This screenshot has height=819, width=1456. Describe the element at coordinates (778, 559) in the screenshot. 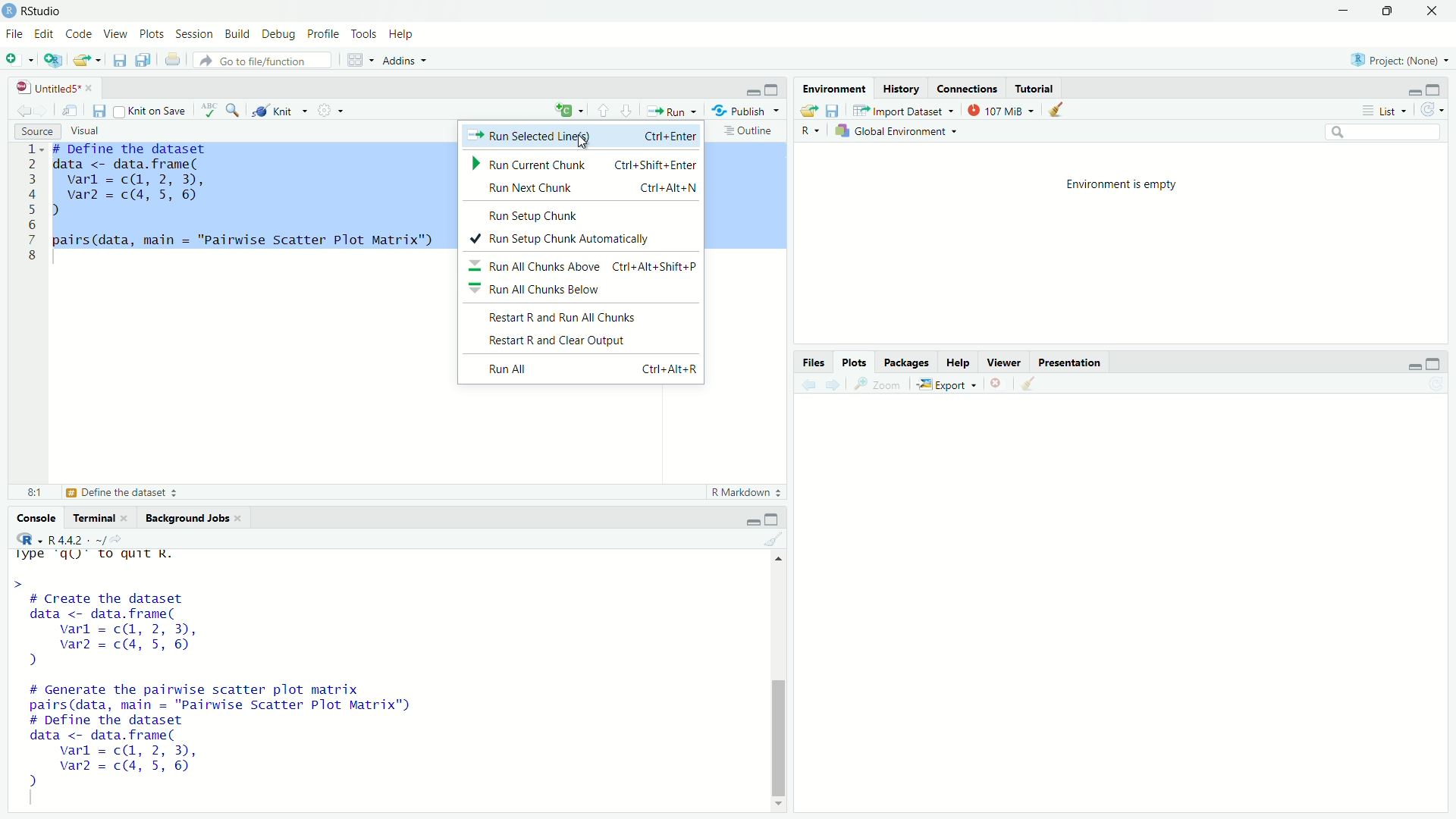

I see `Up` at that location.